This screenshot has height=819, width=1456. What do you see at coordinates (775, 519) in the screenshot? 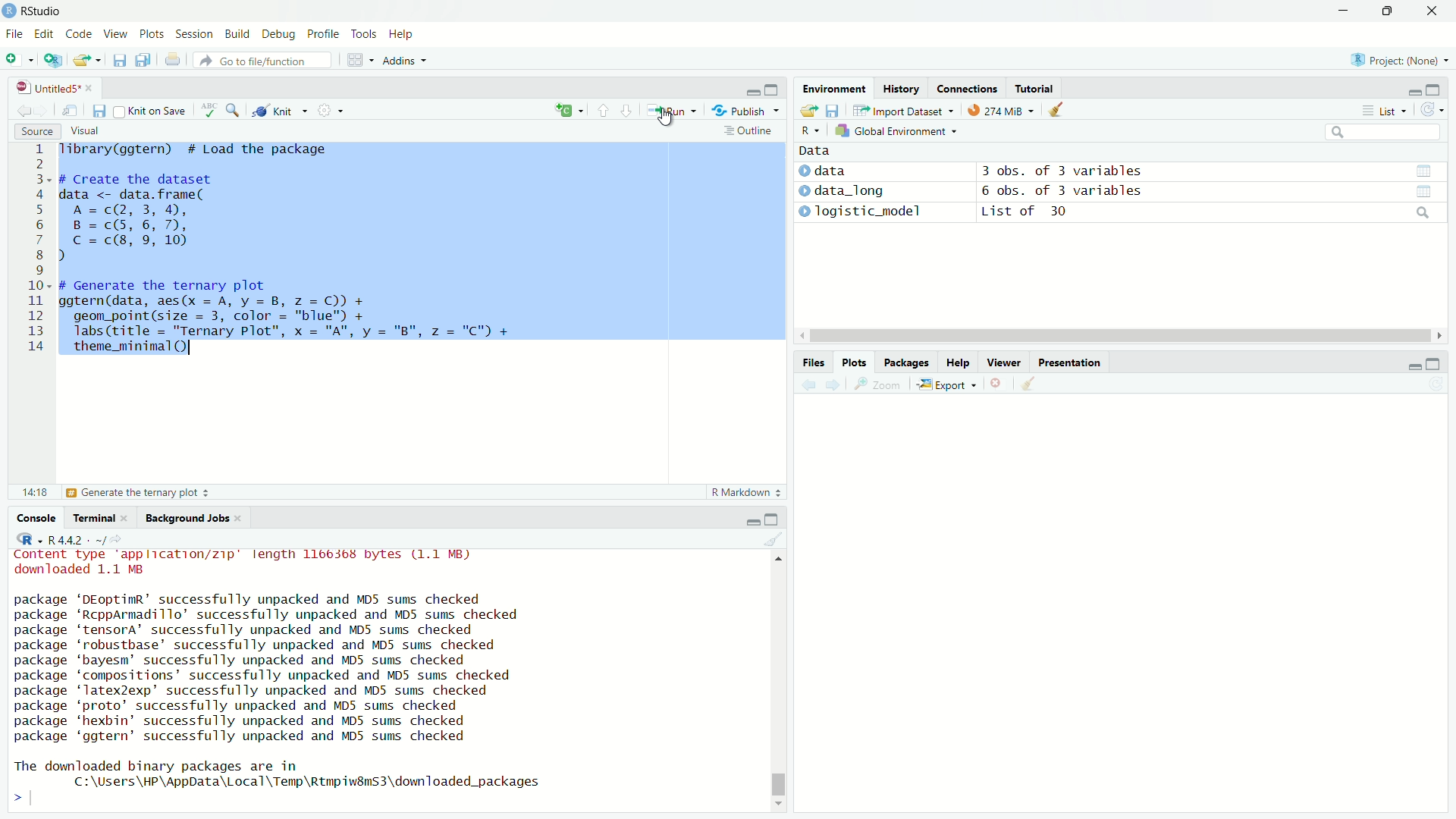
I see `maximise` at bounding box center [775, 519].